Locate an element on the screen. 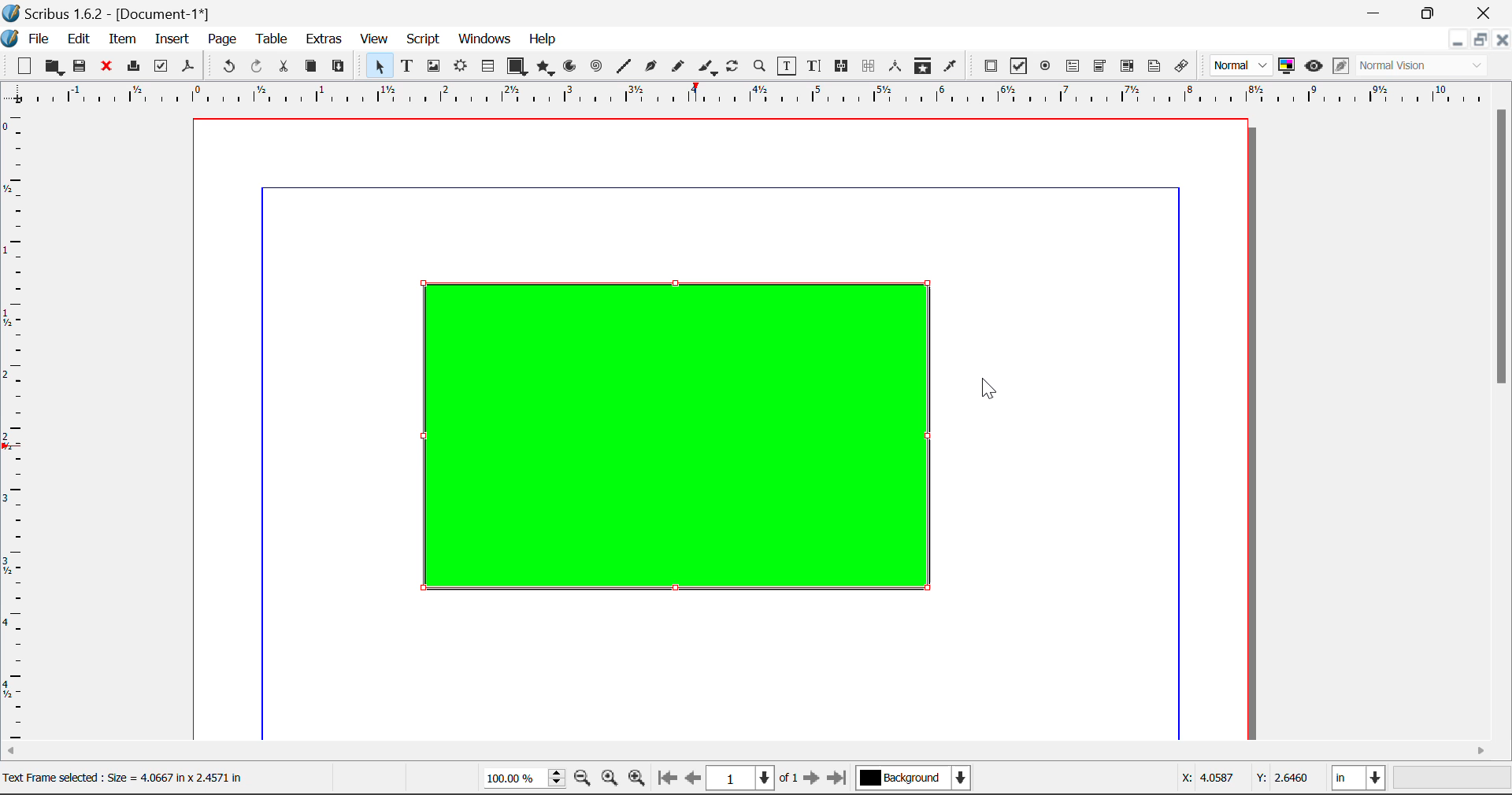 Image resolution: width=1512 pixels, height=795 pixels. Extras is located at coordinates (325, 39).